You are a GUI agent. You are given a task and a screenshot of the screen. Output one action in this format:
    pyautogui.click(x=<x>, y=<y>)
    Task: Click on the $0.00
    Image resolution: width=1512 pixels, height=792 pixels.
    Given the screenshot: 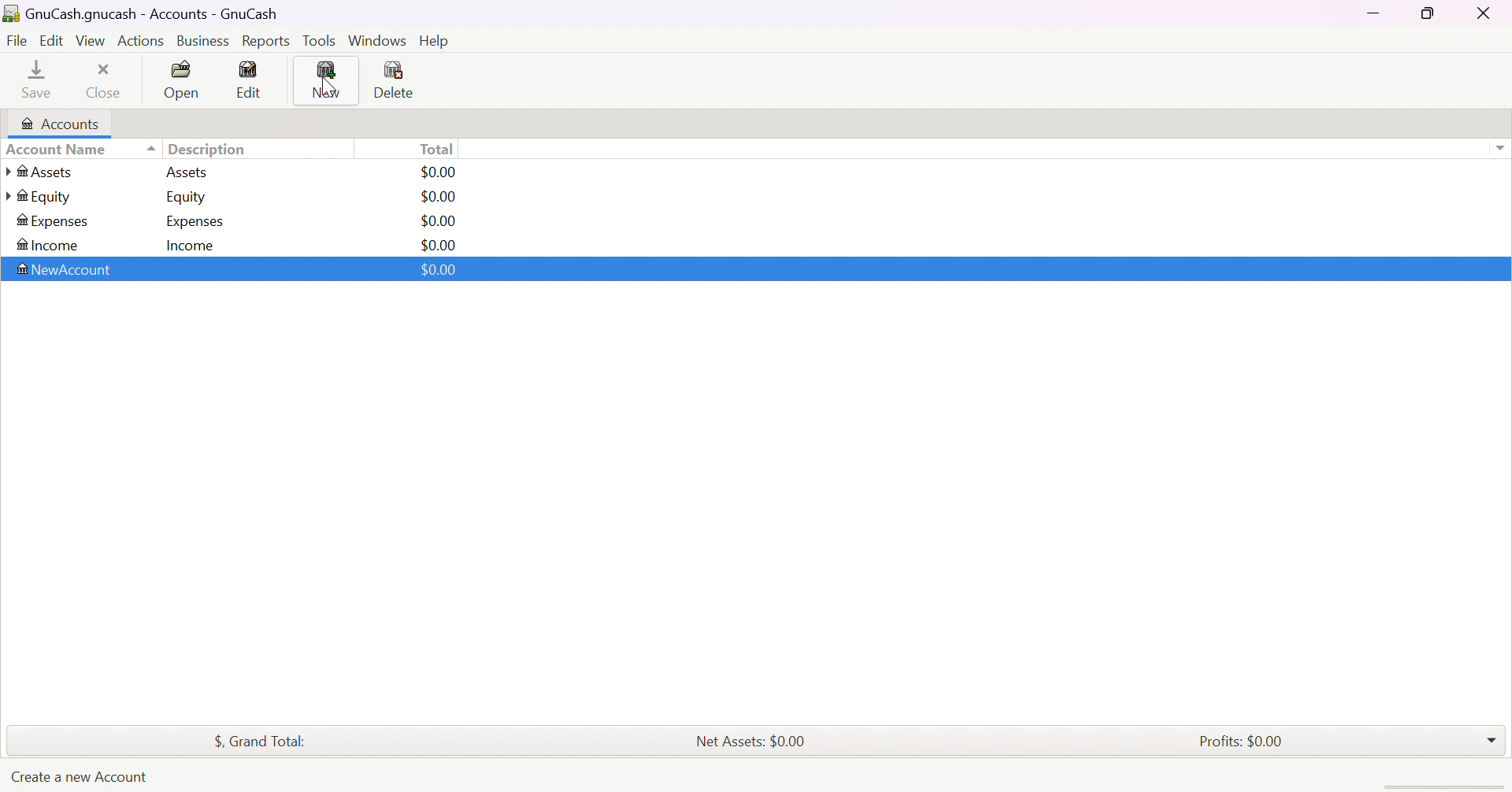 What is the action you would take?
    pyautogui.click(x=440, y=221)
    